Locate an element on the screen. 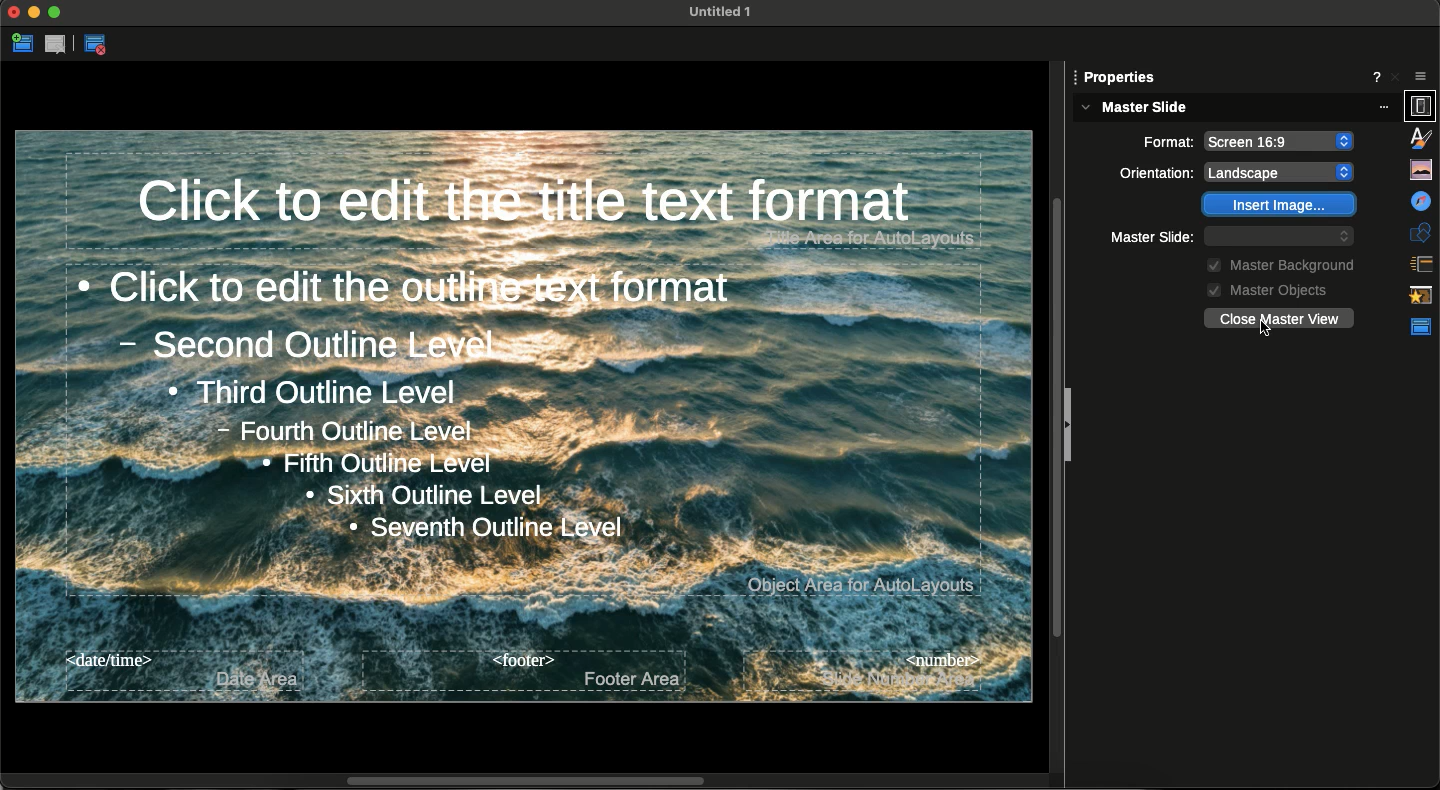  Properties is located at coordinates (1422, 328).